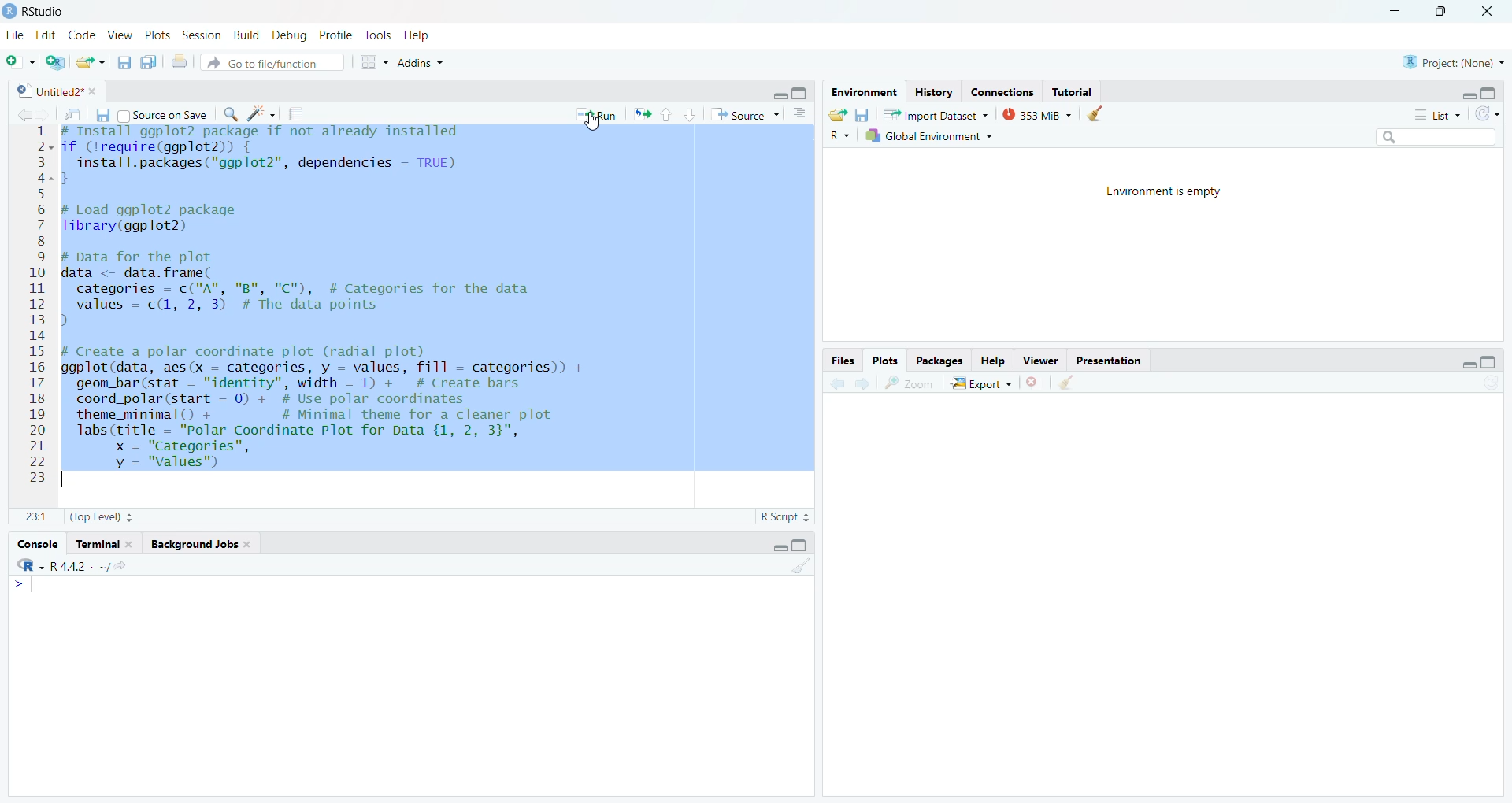 This screenshot has height=803, width=1512. Describe the element at coordinates (908, 383) in the screenshot. I see `zoom` at that location.